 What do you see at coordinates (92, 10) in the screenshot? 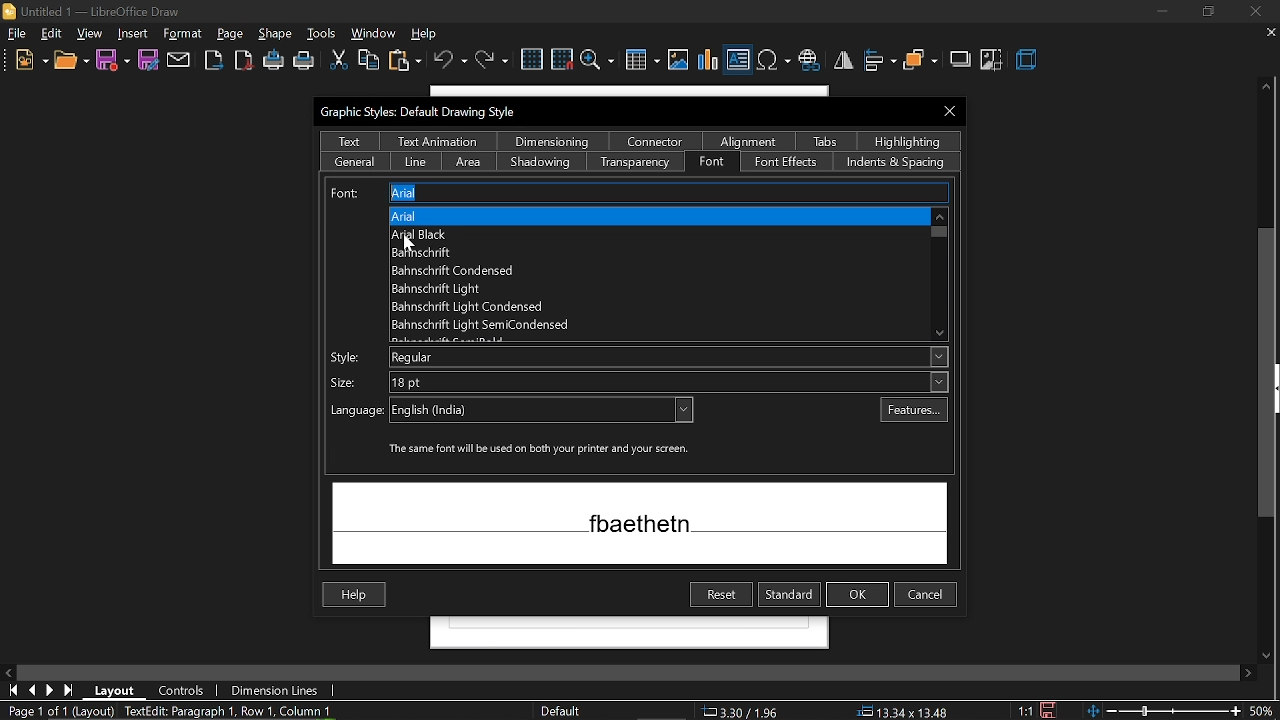
I see `Untitled 1 - LibreOffice Draw` at bounding box center [92, 10].